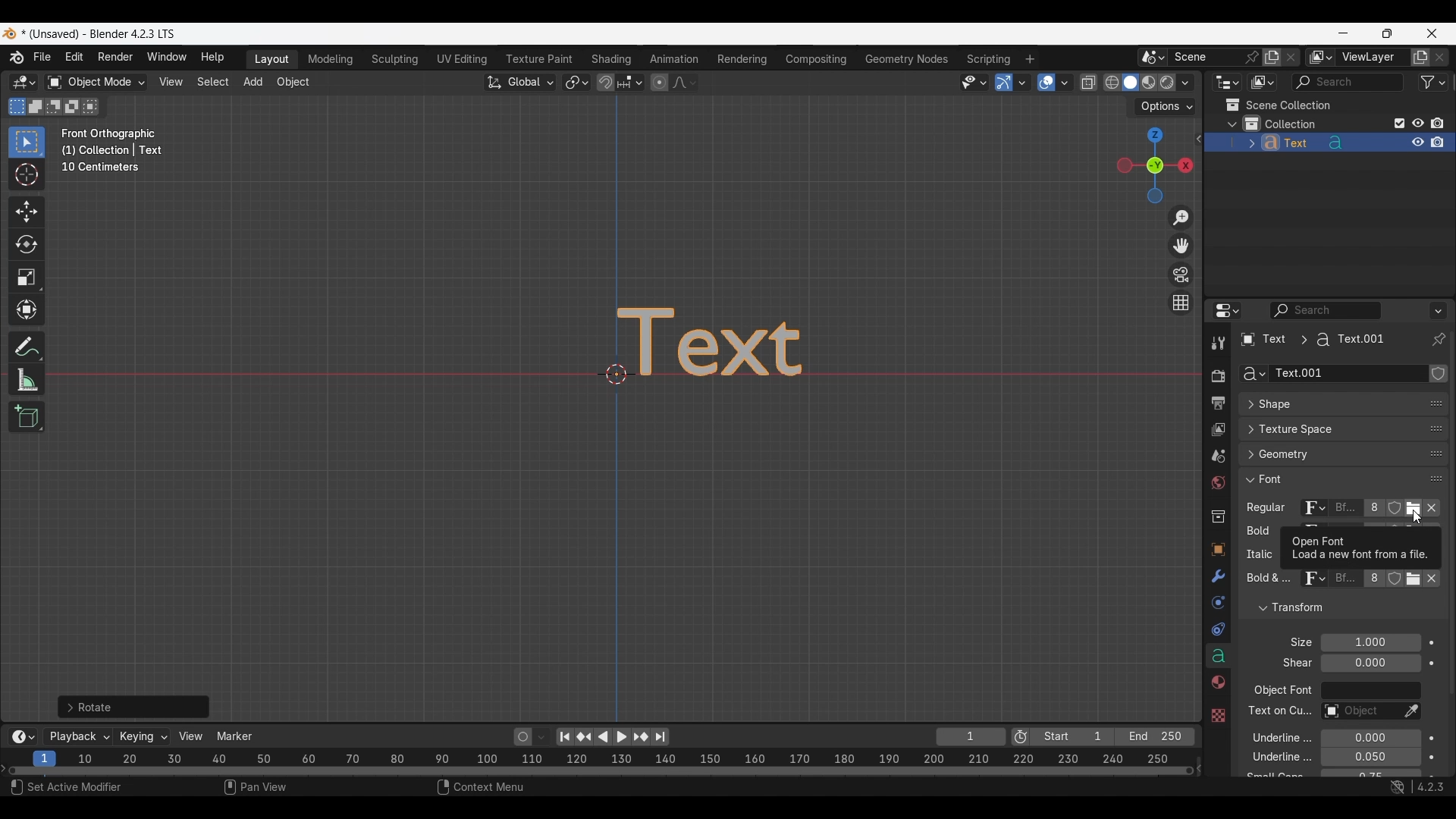 The height and width of the screenshot is (819, 1456). I want to click on Auto keyframing, so click(541, 737).